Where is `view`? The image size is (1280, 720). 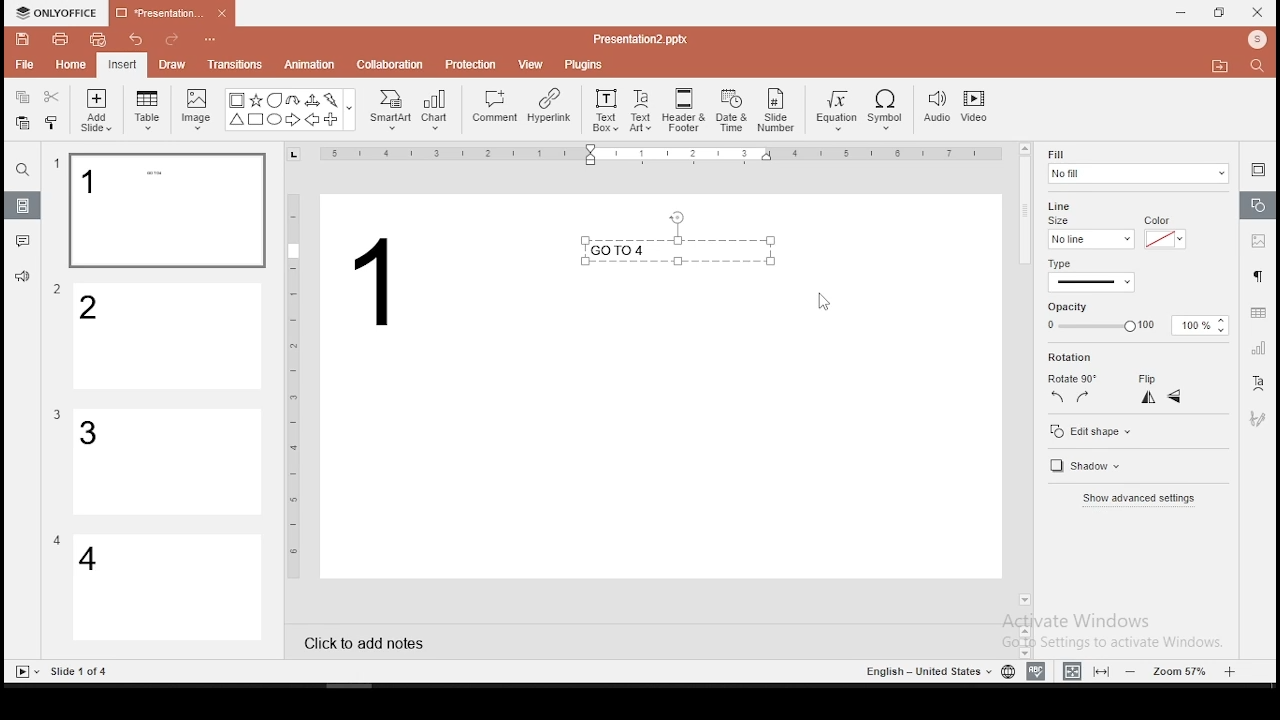 view is located at coordinates (532, 63).